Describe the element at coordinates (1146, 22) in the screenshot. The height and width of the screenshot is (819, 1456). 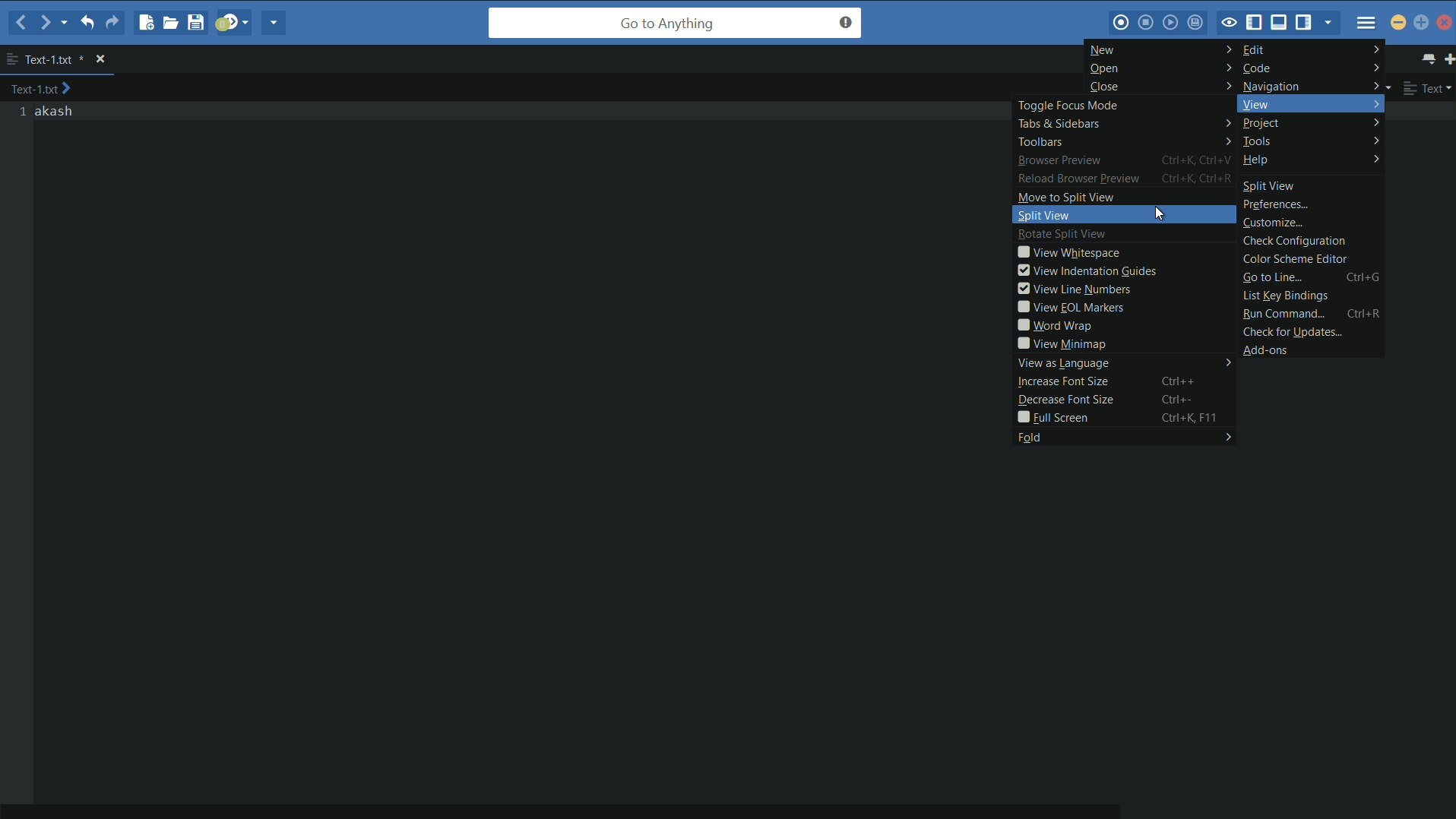
I see `stop macro` at that location.